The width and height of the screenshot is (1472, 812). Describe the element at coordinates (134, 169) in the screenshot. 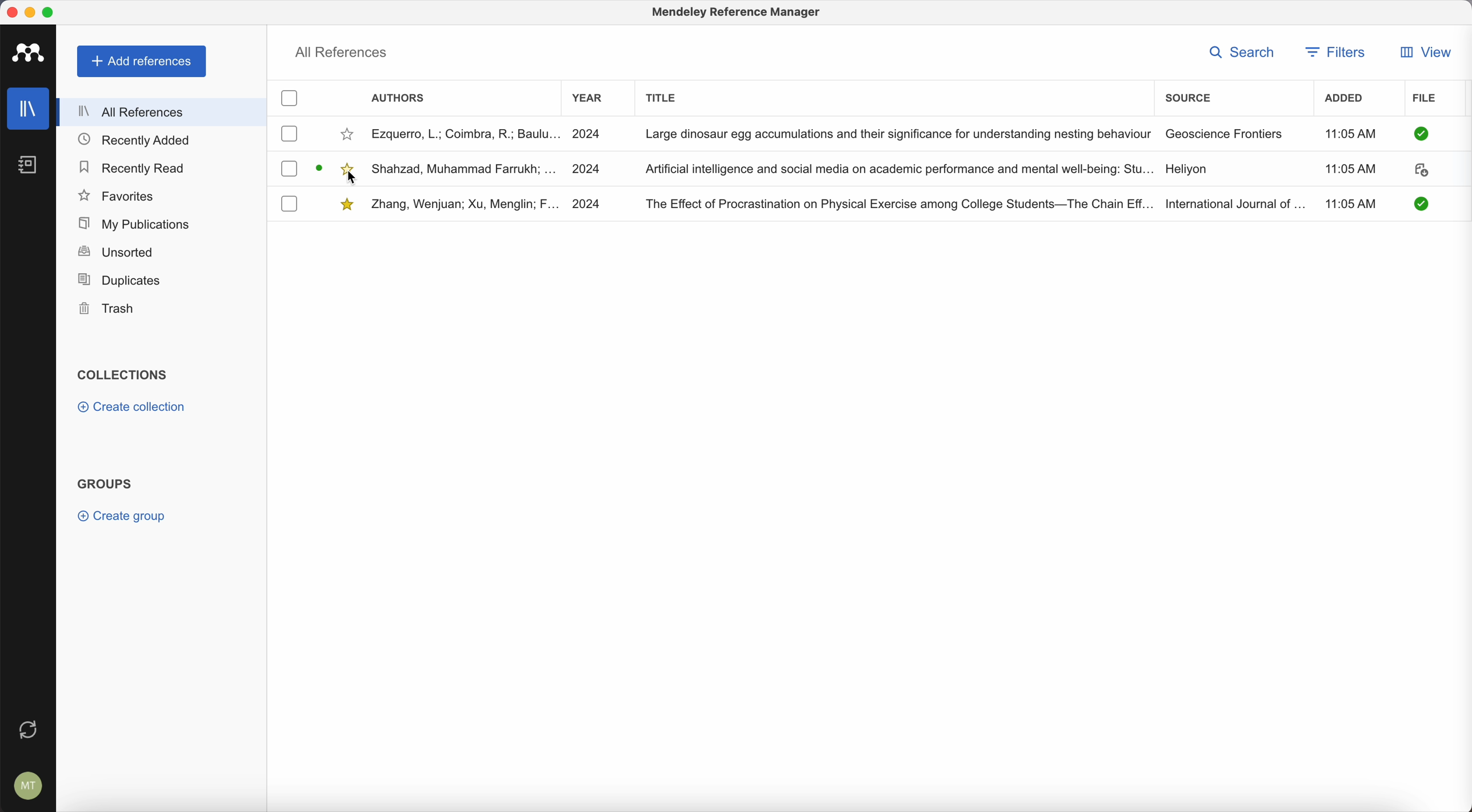

I see `recently read` at that location.